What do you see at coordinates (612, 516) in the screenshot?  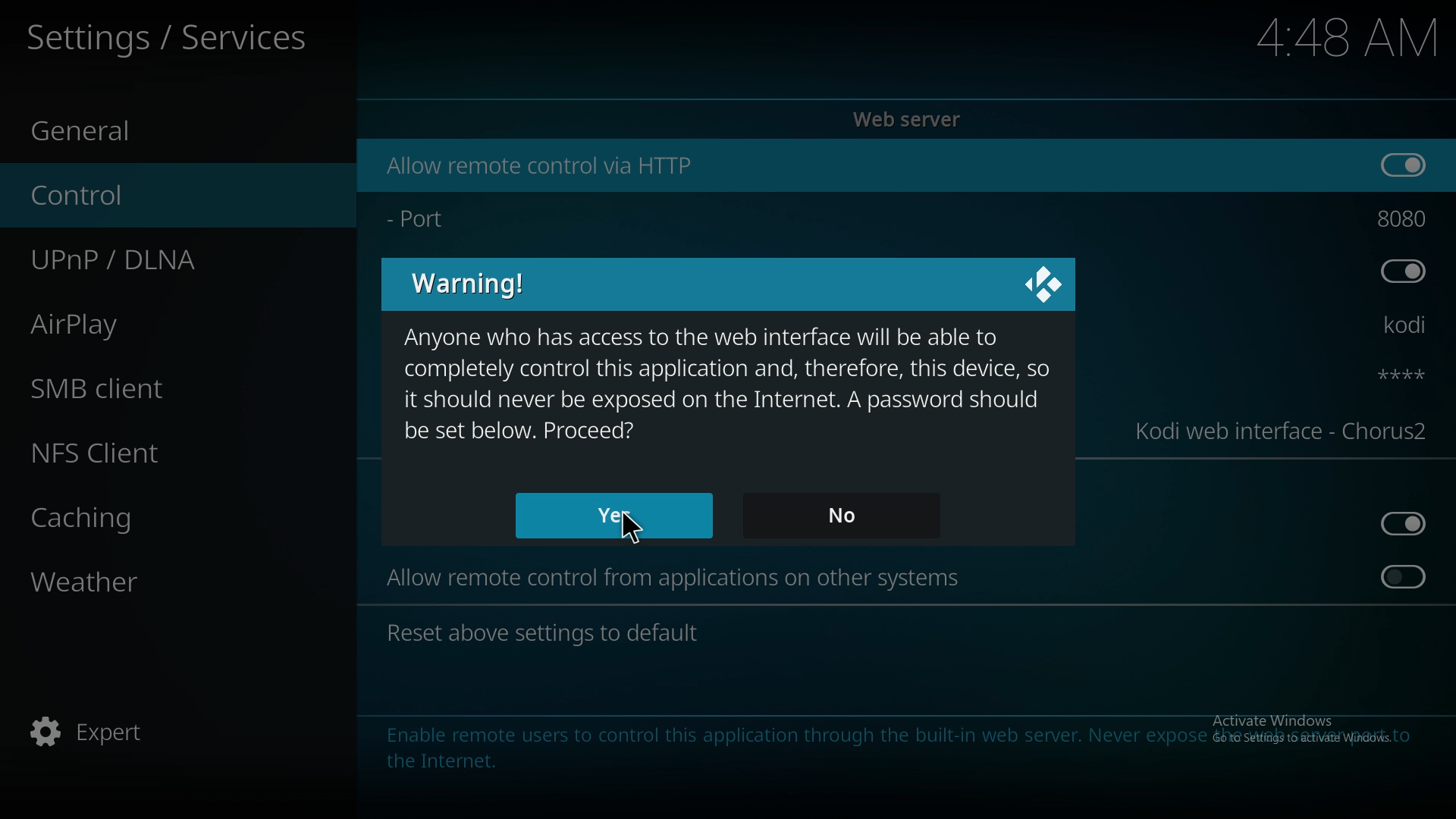 I see `yes` at bounding box center [612, 516].